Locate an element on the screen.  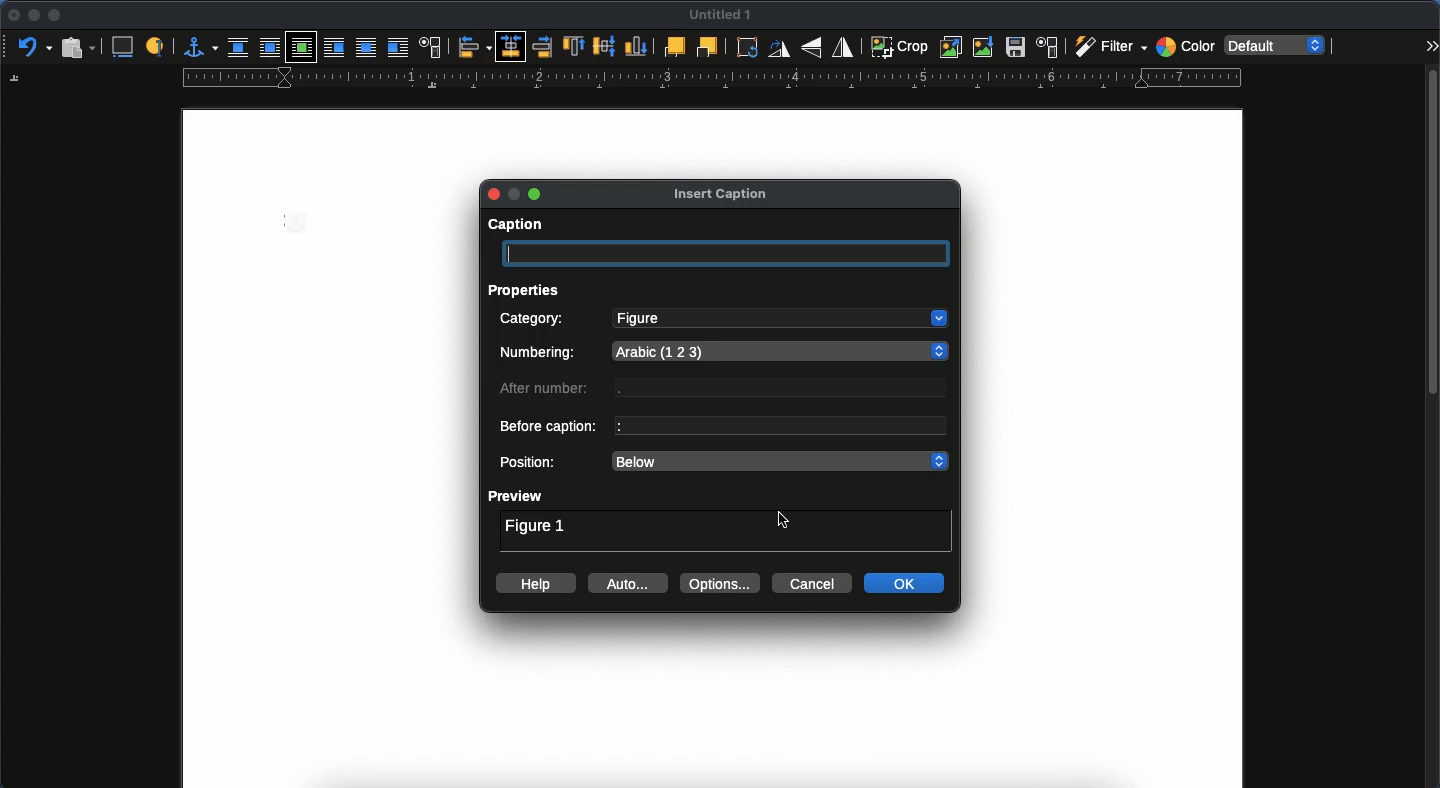
image properties is located at coordinates (1048, 47).